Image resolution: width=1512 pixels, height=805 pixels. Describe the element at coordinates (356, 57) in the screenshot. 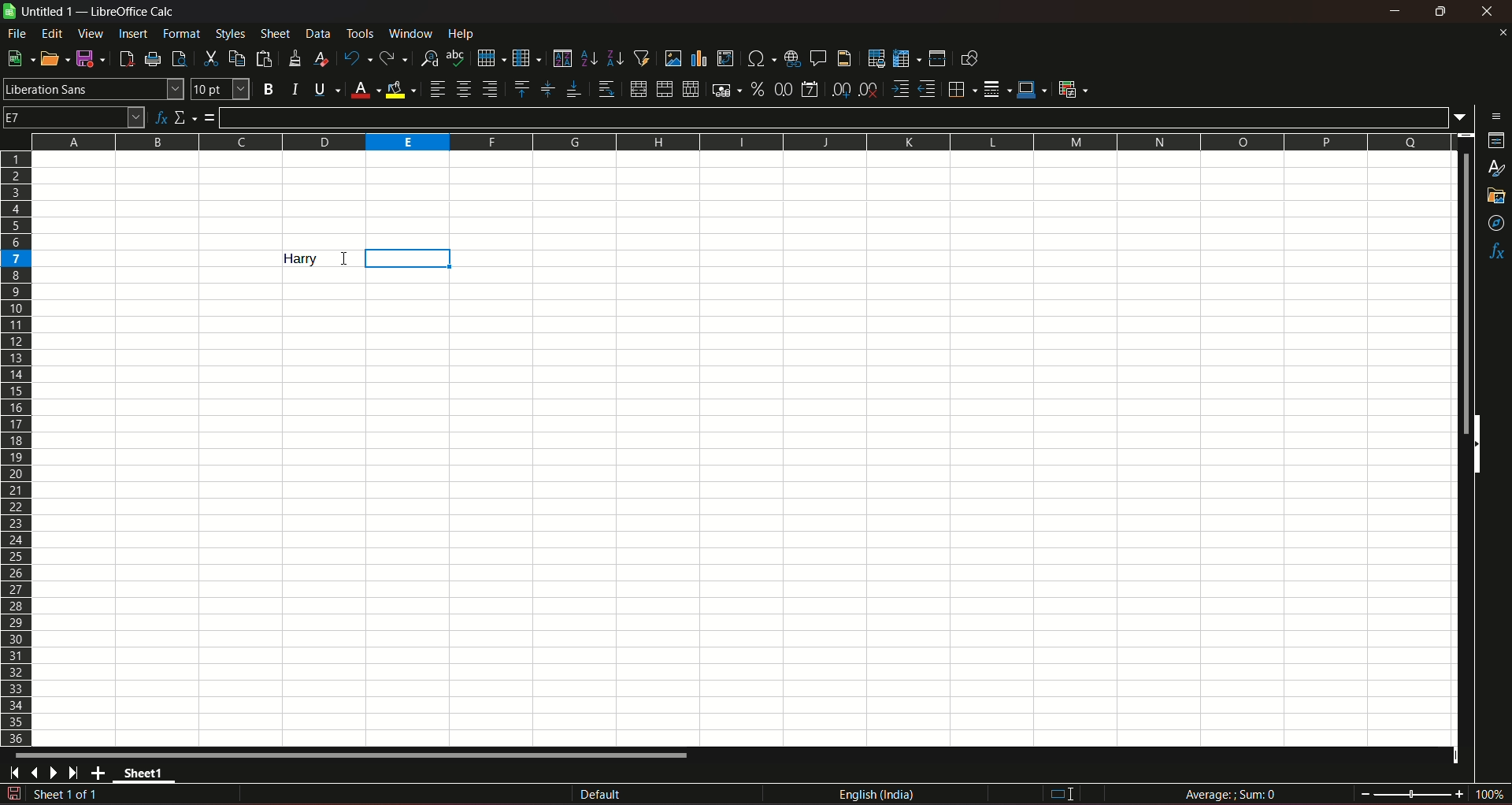

I see `undo` at that location.